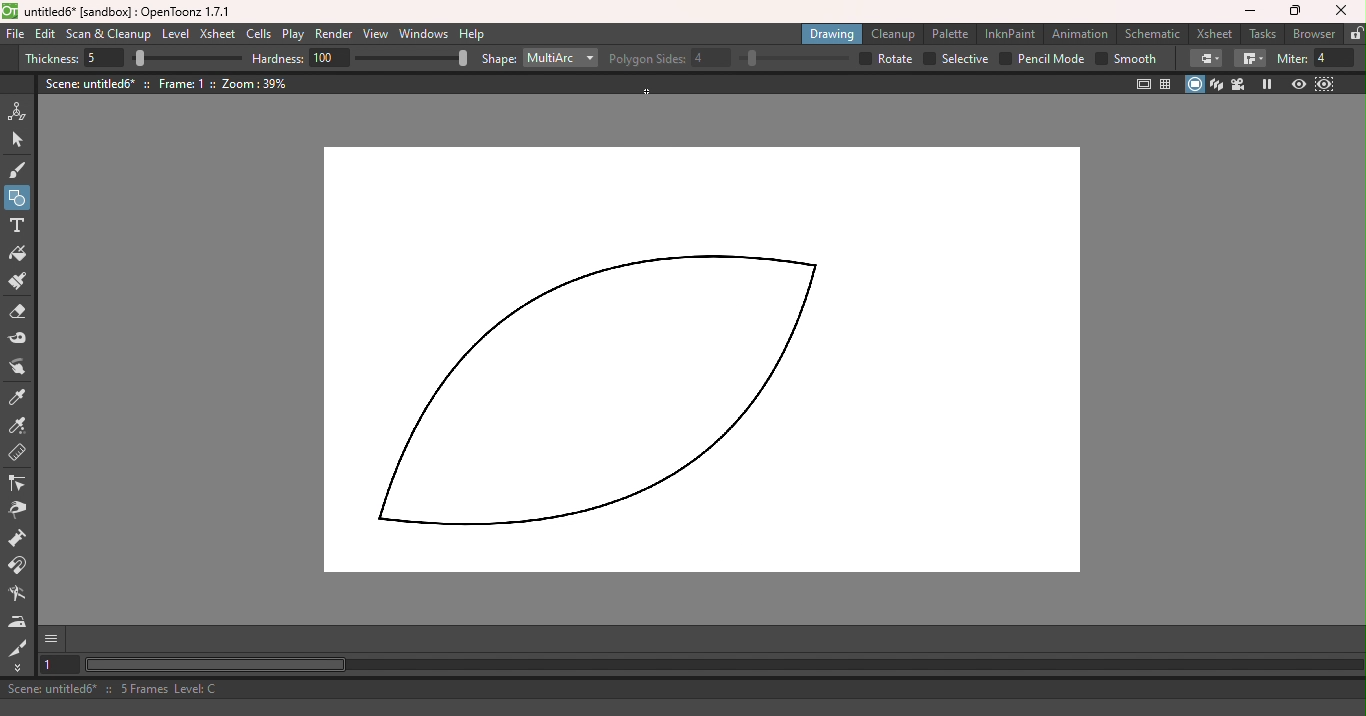 The height and width of the screenshot is (716, 1366). Describe the element at coordinates (1269, 84) in the screenshot. I see `Freeze` at that location.